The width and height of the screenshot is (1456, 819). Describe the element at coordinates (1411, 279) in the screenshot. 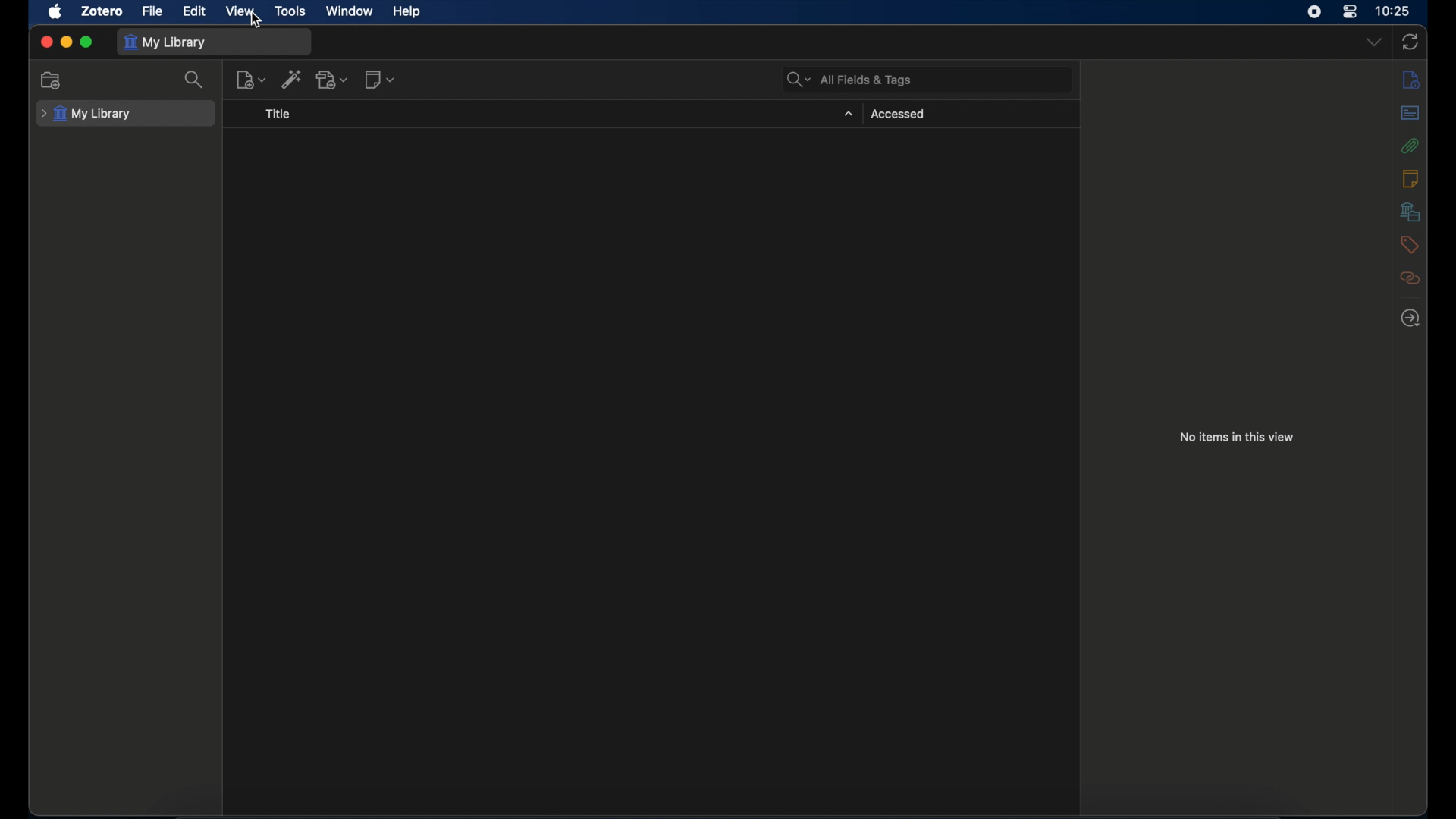

I see `related` at that location.